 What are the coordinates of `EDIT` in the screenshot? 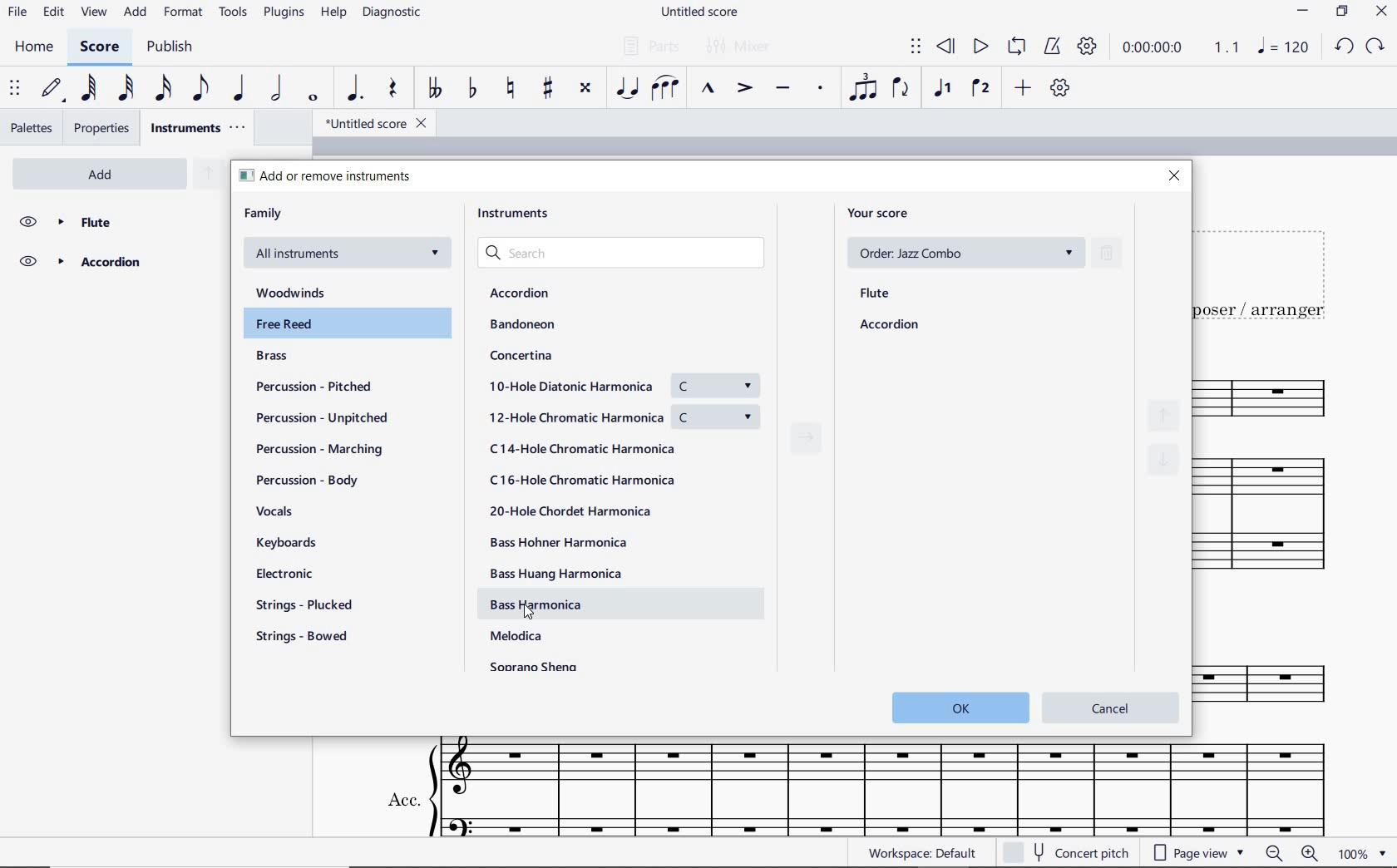 It's located at (52, 12).